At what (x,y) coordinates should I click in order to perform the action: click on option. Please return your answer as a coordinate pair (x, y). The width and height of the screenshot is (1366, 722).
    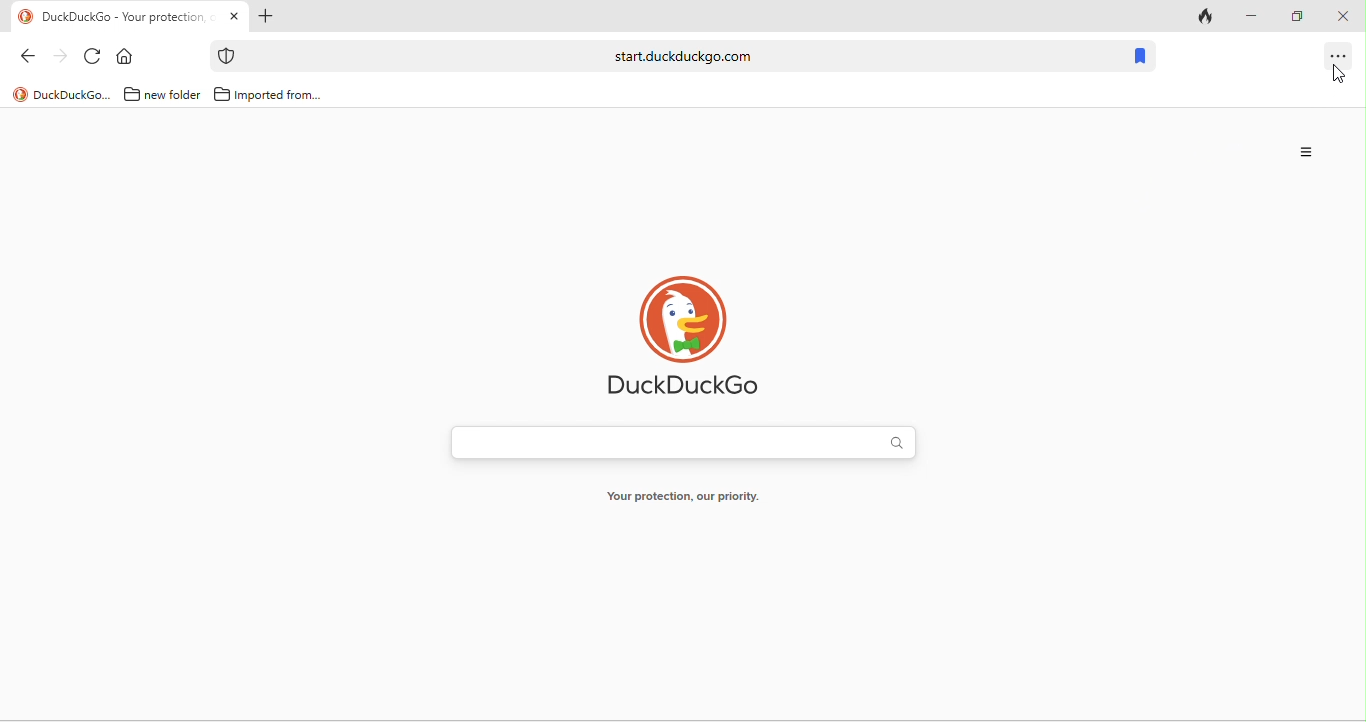
    Looking at the image, I should click on (1306, 154).